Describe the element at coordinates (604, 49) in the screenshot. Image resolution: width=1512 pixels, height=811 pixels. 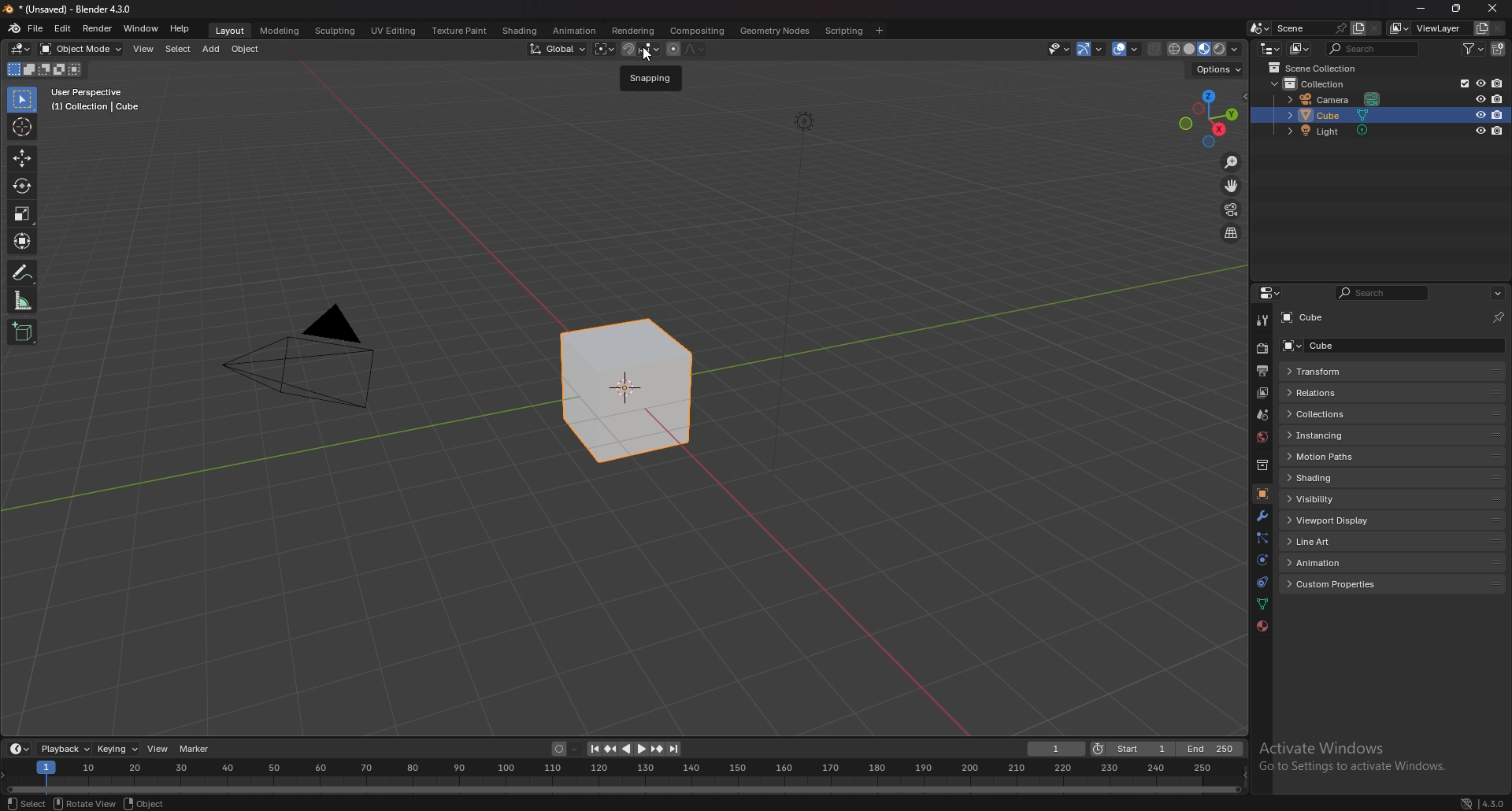
I see `transform pivot point` at that location.